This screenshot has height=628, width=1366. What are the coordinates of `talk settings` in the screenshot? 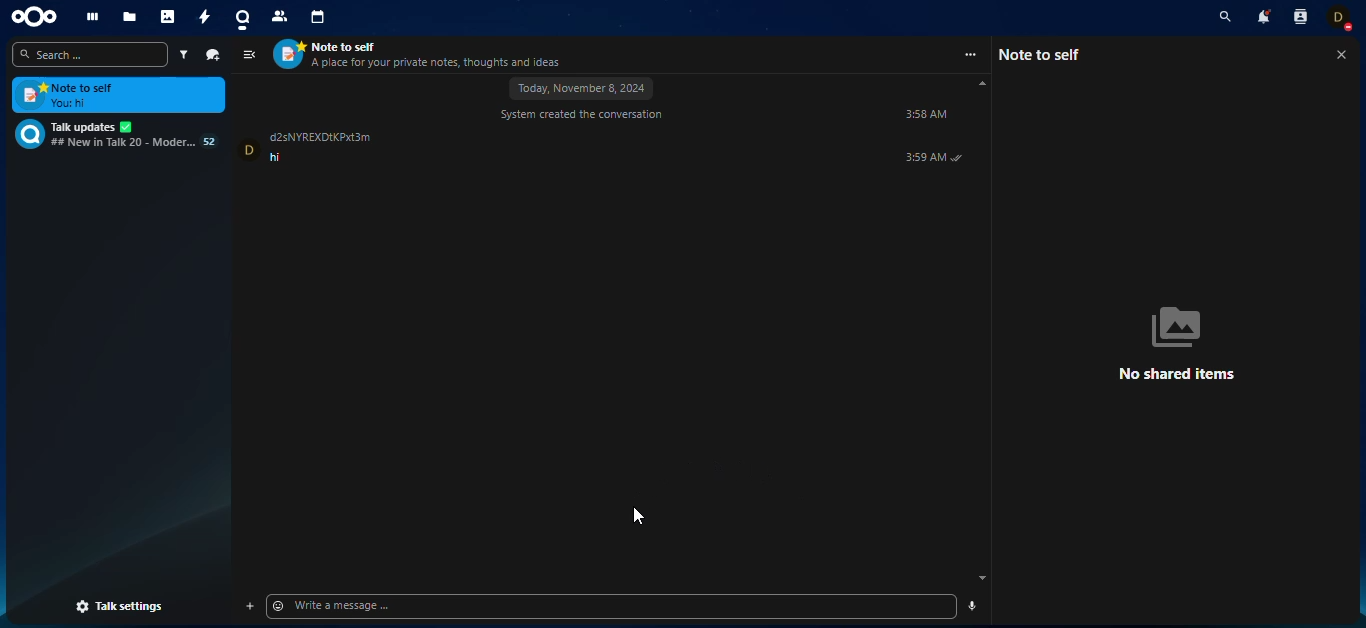 It's located at (120, 607).